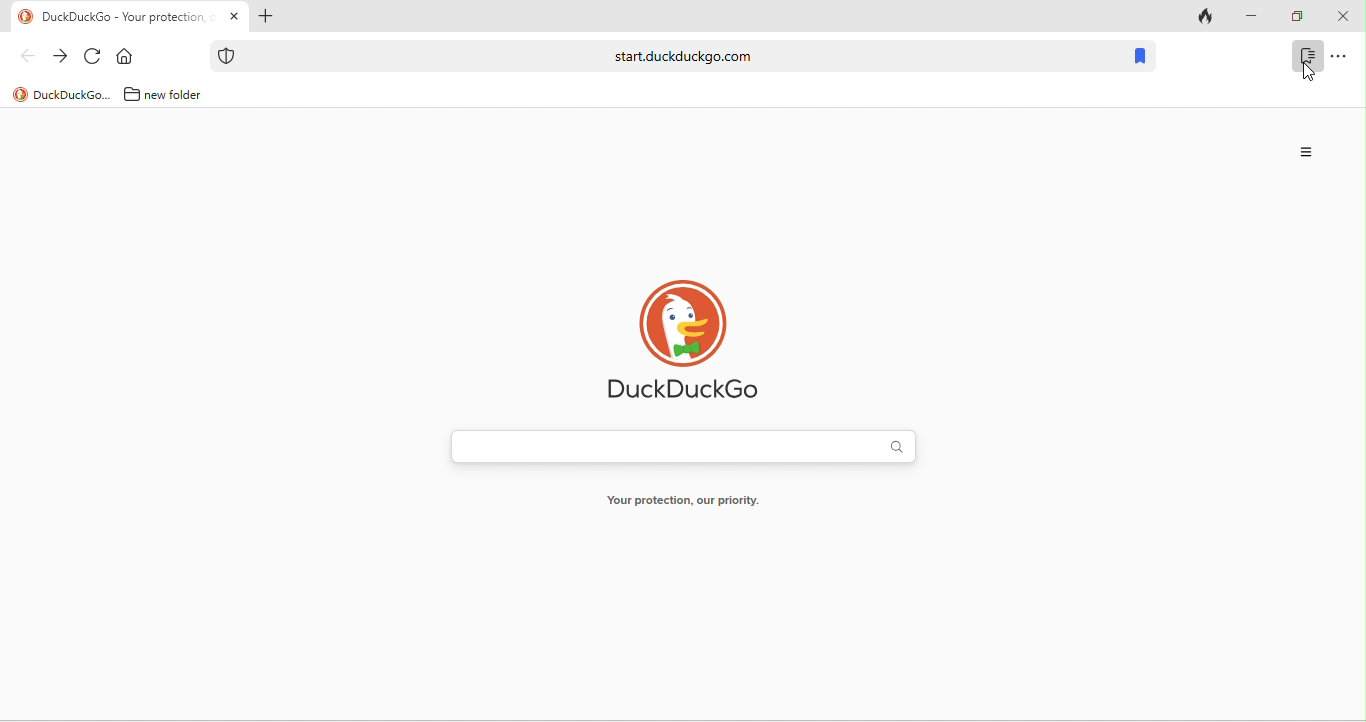 This screenshot has height=722, width=1366. What do you see at coordinates (1252, 17) in the screenshot?
I see `minimize` at bounding box center [1252, 17].